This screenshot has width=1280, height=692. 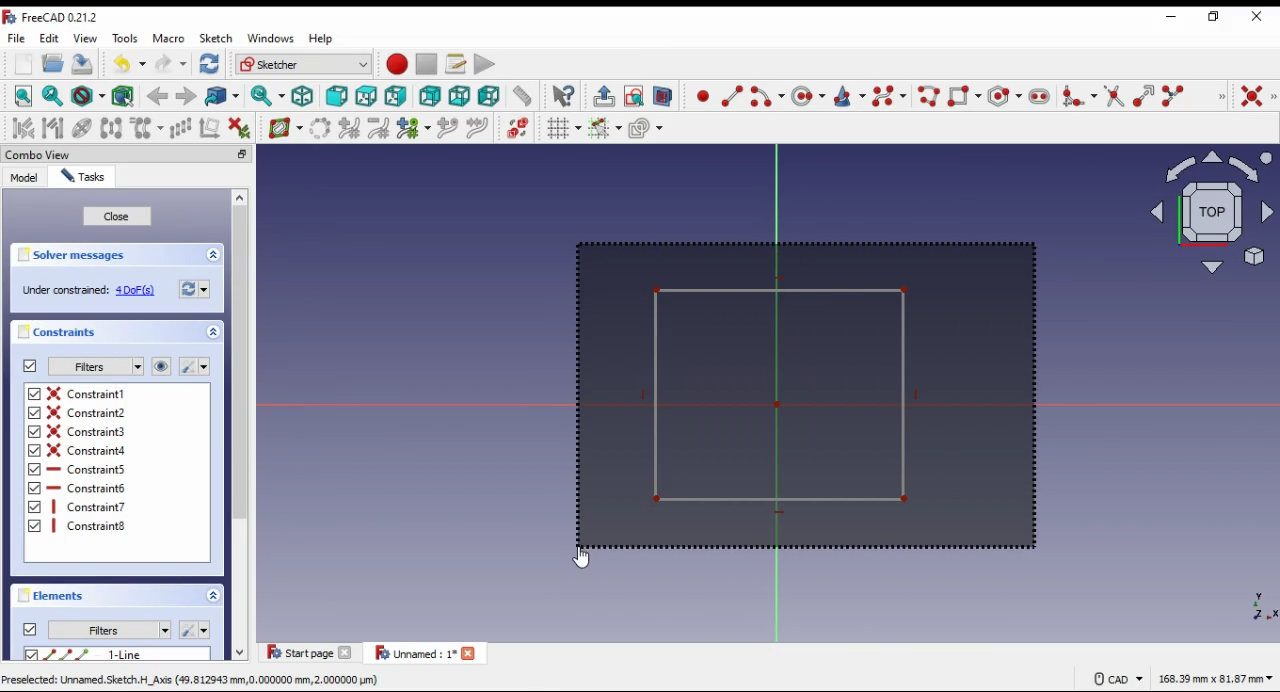 What do you see at coordinates (1117, 679) in the screenshot?
I see `CAD Navigation style` at bounding box center [1117, 679].